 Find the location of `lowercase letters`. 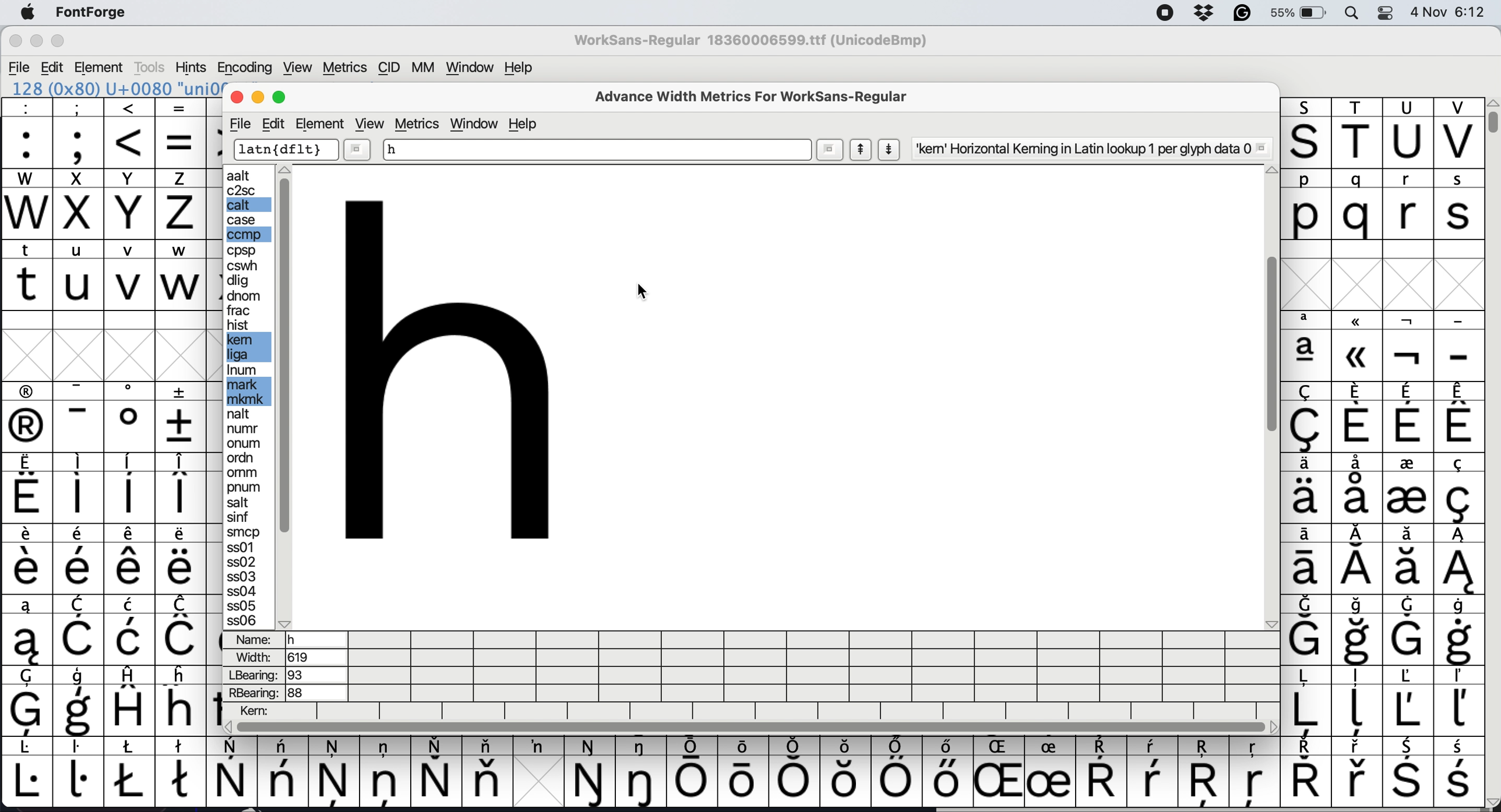

lowercase letters is located at coordinates (113, 249).